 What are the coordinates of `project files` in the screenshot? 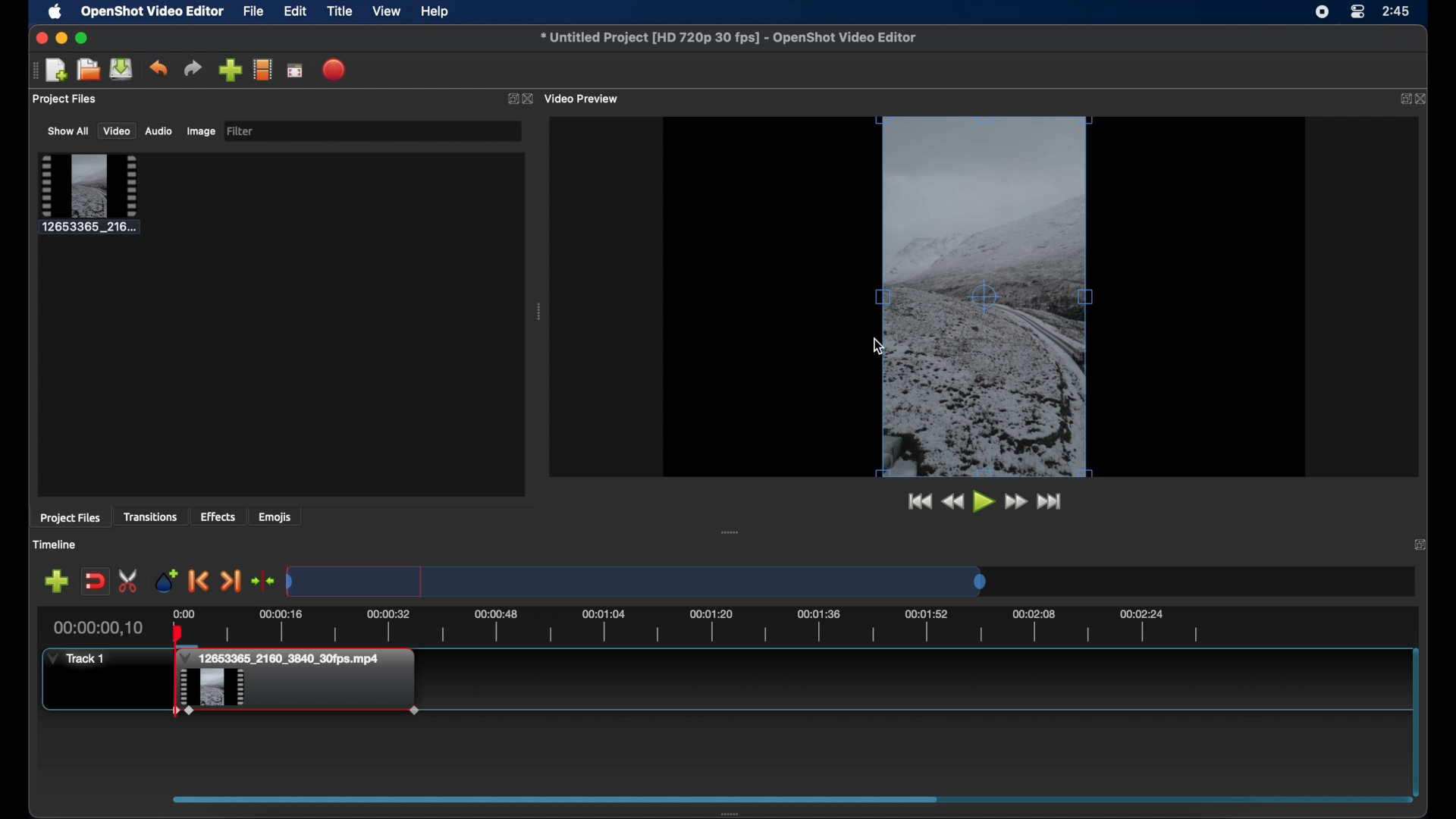 It's located at (71, 519).